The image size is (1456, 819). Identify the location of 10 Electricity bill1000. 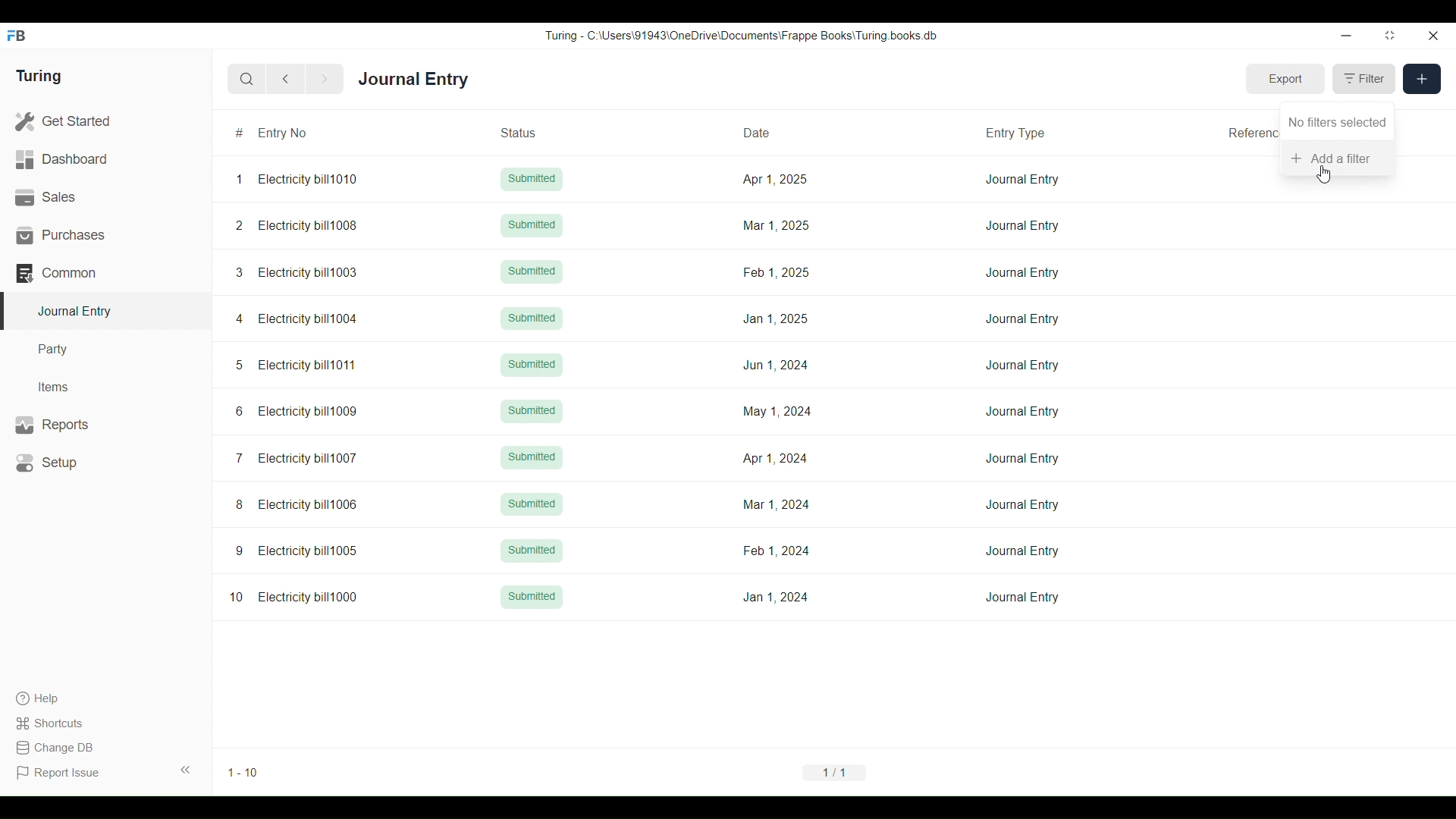
(294, 597).